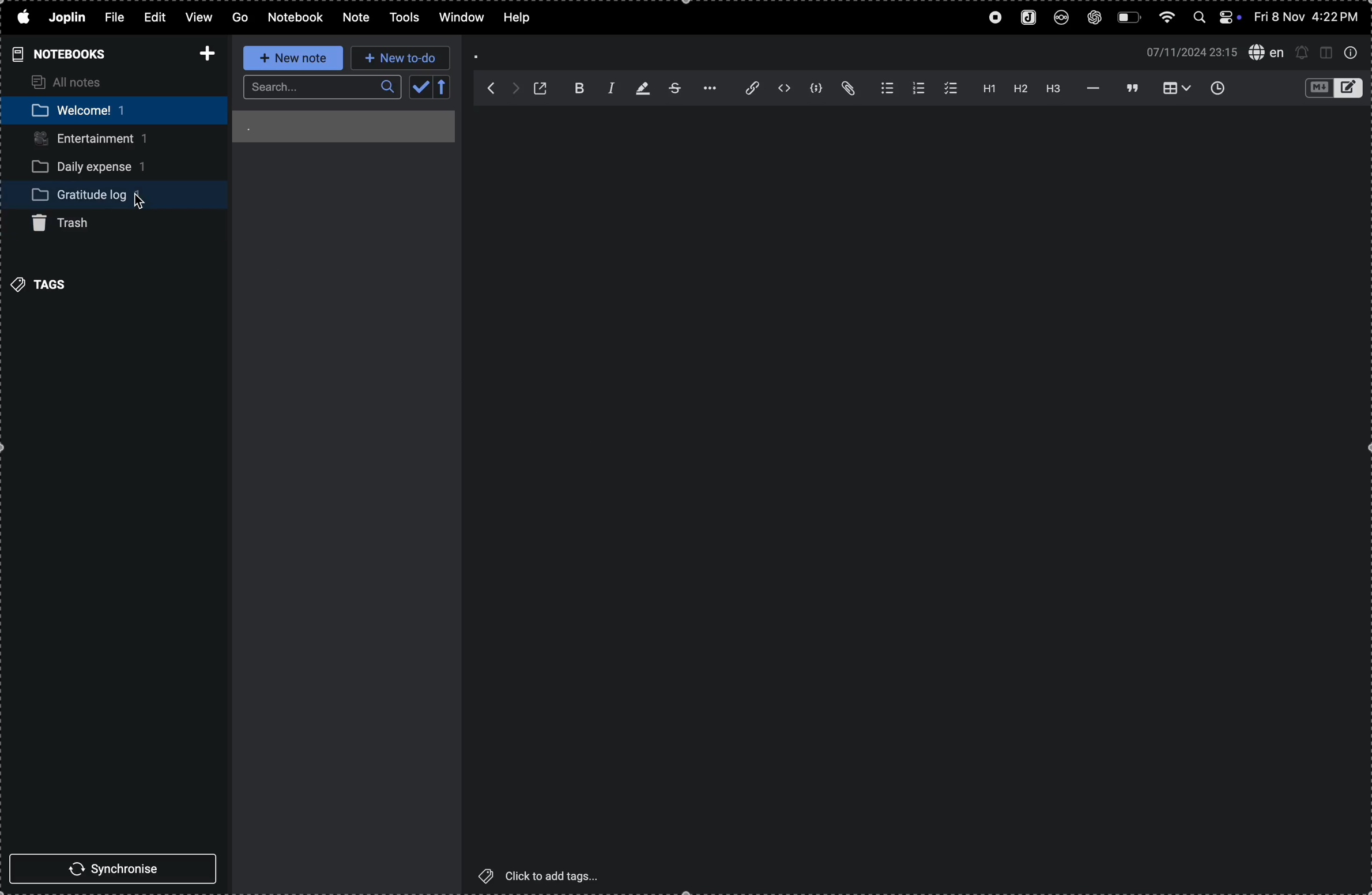 This screenshot has height=895, width=1372. Describe the element at coordinates (61, 222) in the screenshot. I see `trash` at that location.